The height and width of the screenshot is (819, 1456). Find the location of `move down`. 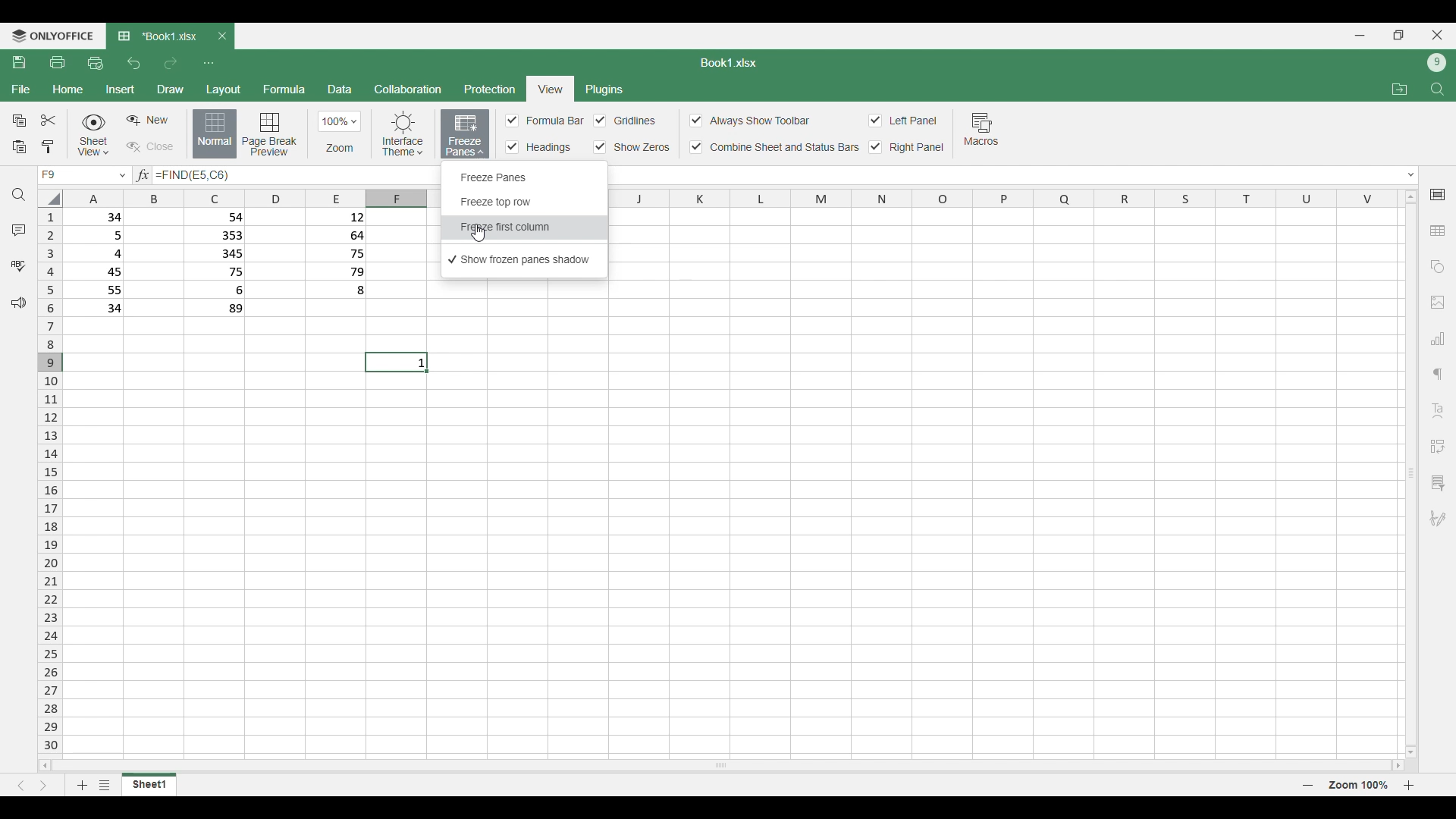

move down is located at coordinates (1412, 752).